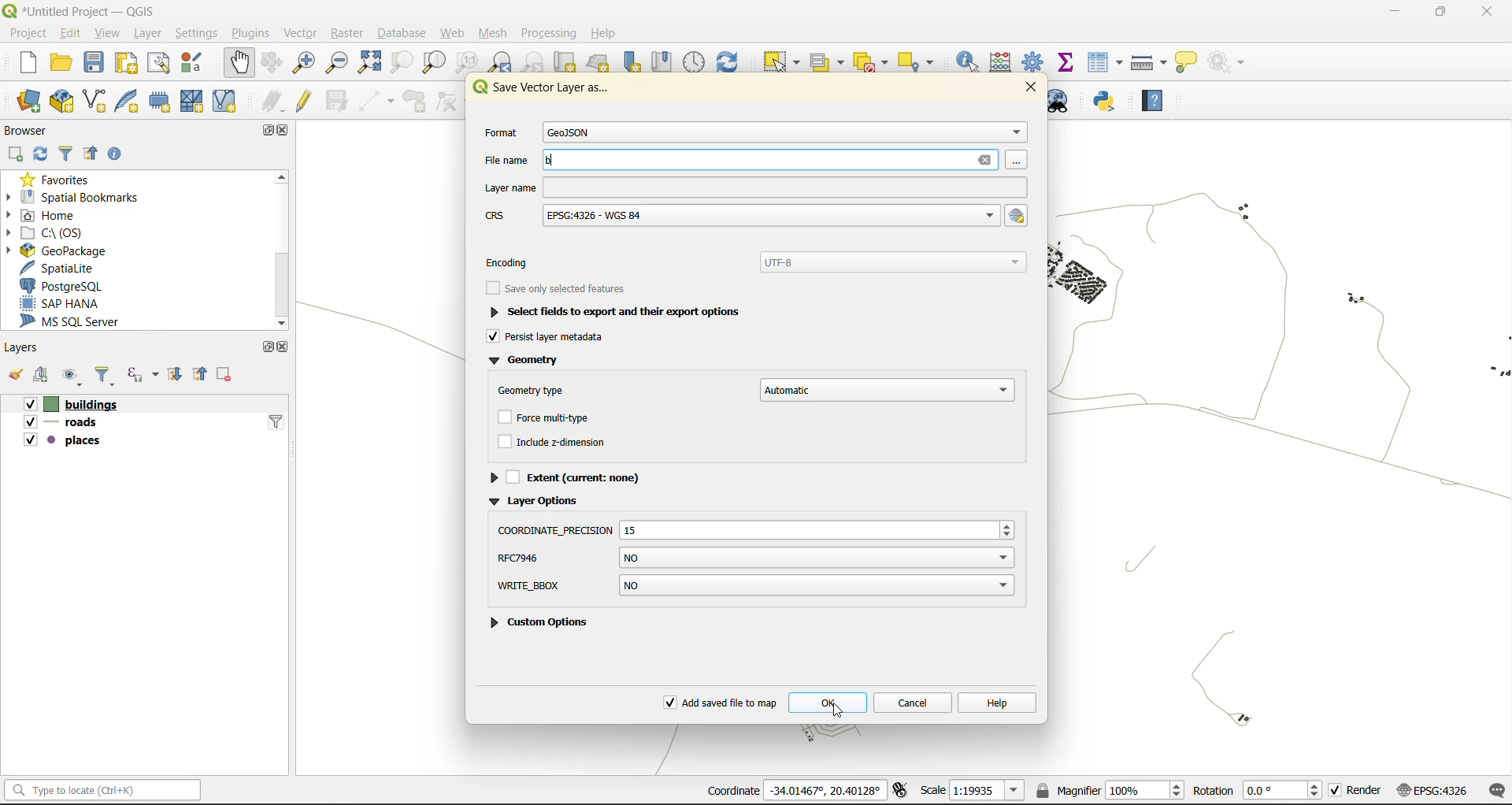  What do you see at coordinates (740, 217) in the screenshot?
I see `crs` at bounding box center [740, 217].